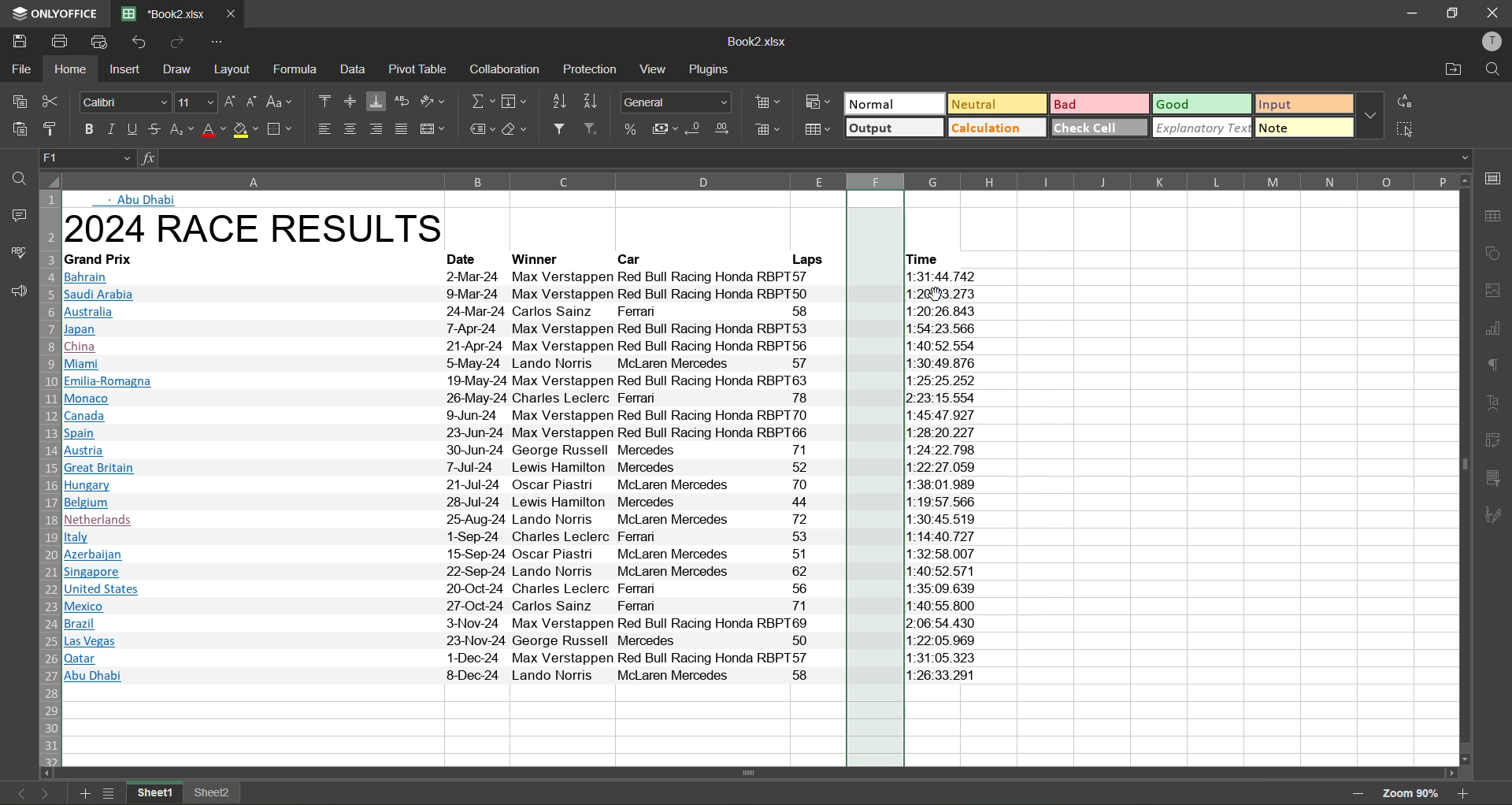  Describe the element at coordinates (481, 129) in the screenshot. I see `named ranges` at that location.